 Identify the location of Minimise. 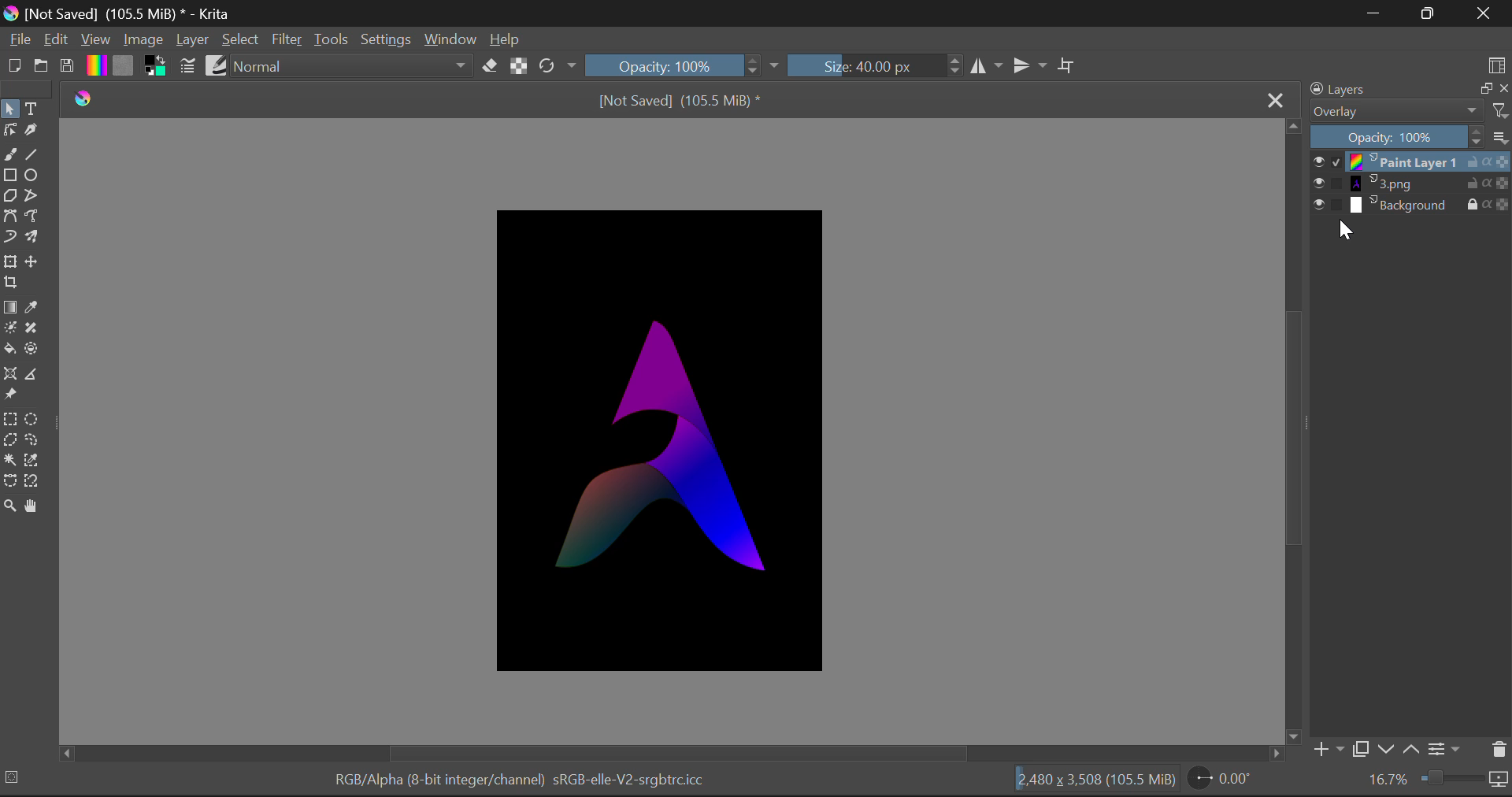
(1375, 13).